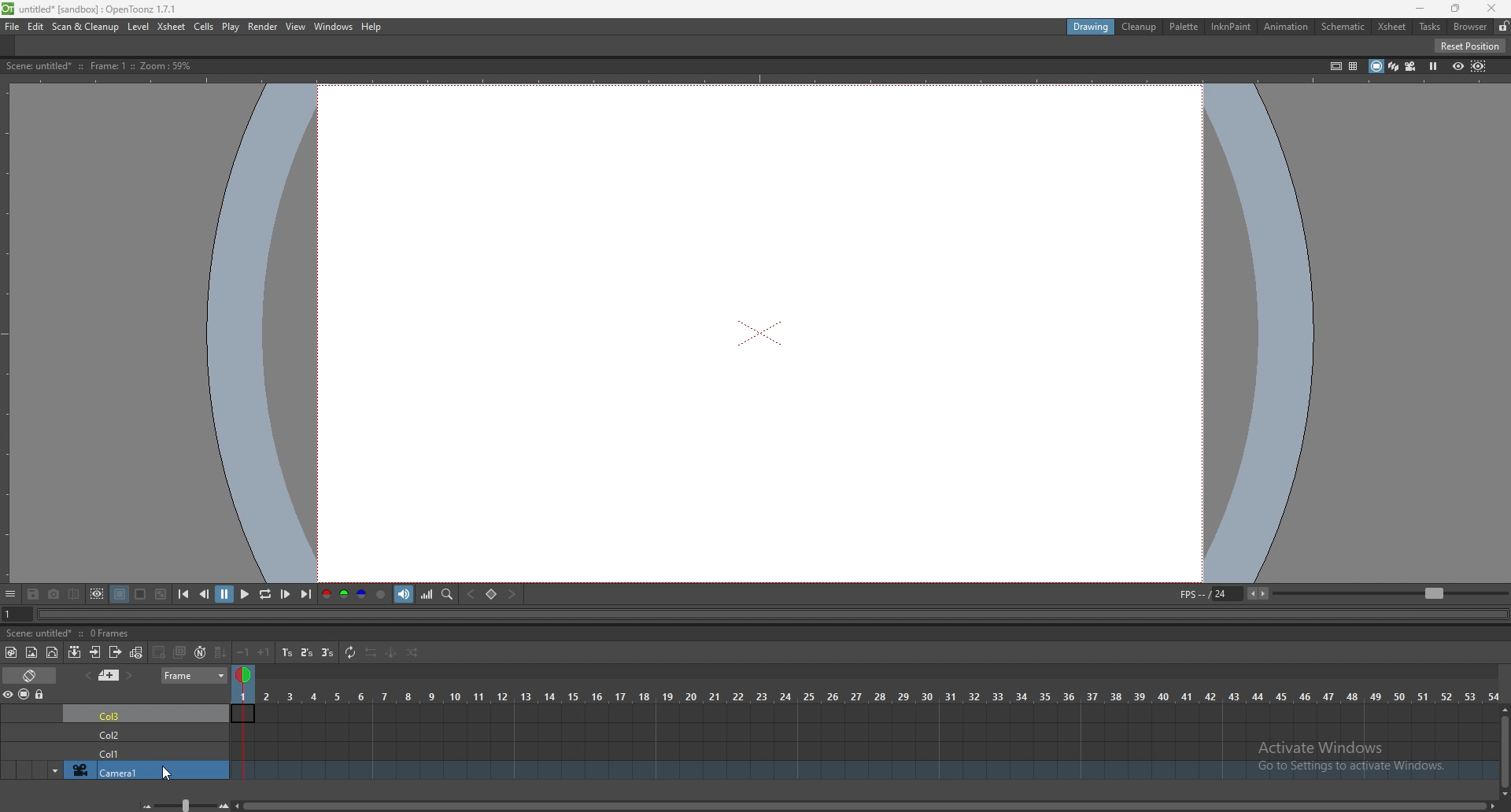 The image size is (1511, 812). What do you see at coordinates (866, 772) in the screenshot?
I see `camera timeline` at bounding box center [866, 772].